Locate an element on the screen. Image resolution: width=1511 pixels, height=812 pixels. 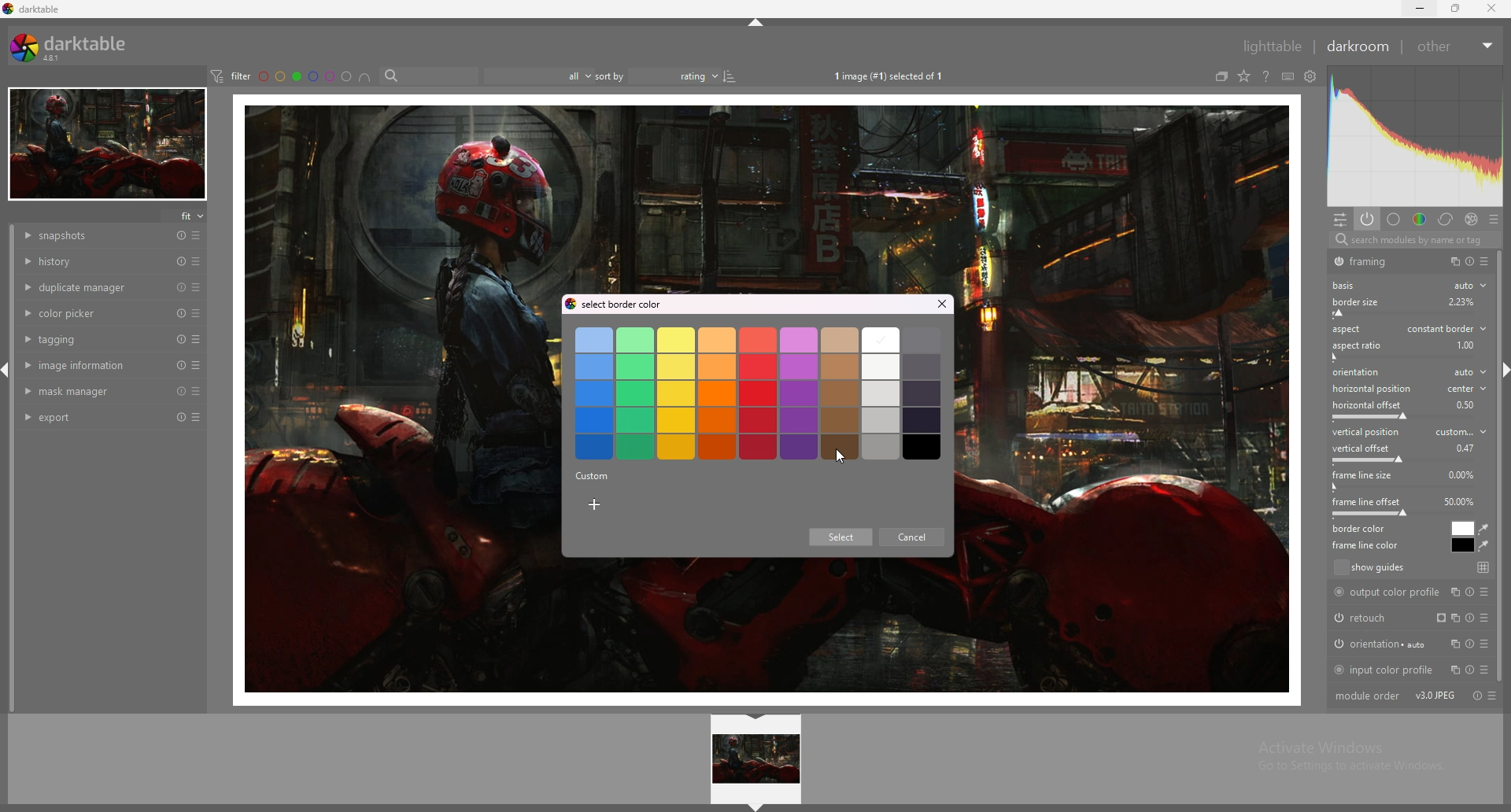
toggle is located at coordinates (1474, 696).